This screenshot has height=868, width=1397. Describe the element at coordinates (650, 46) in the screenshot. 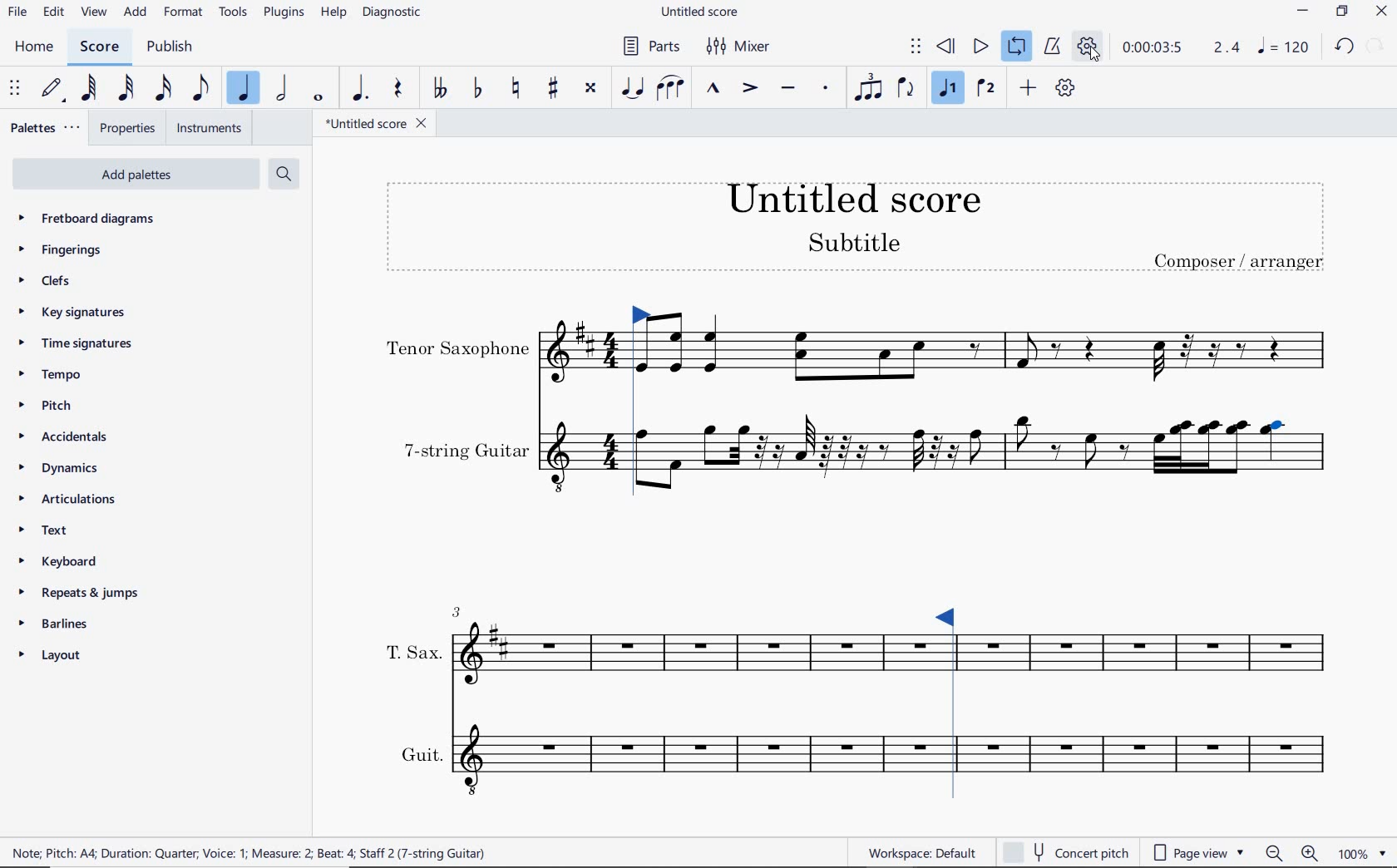

I see `PARTS` at that location.